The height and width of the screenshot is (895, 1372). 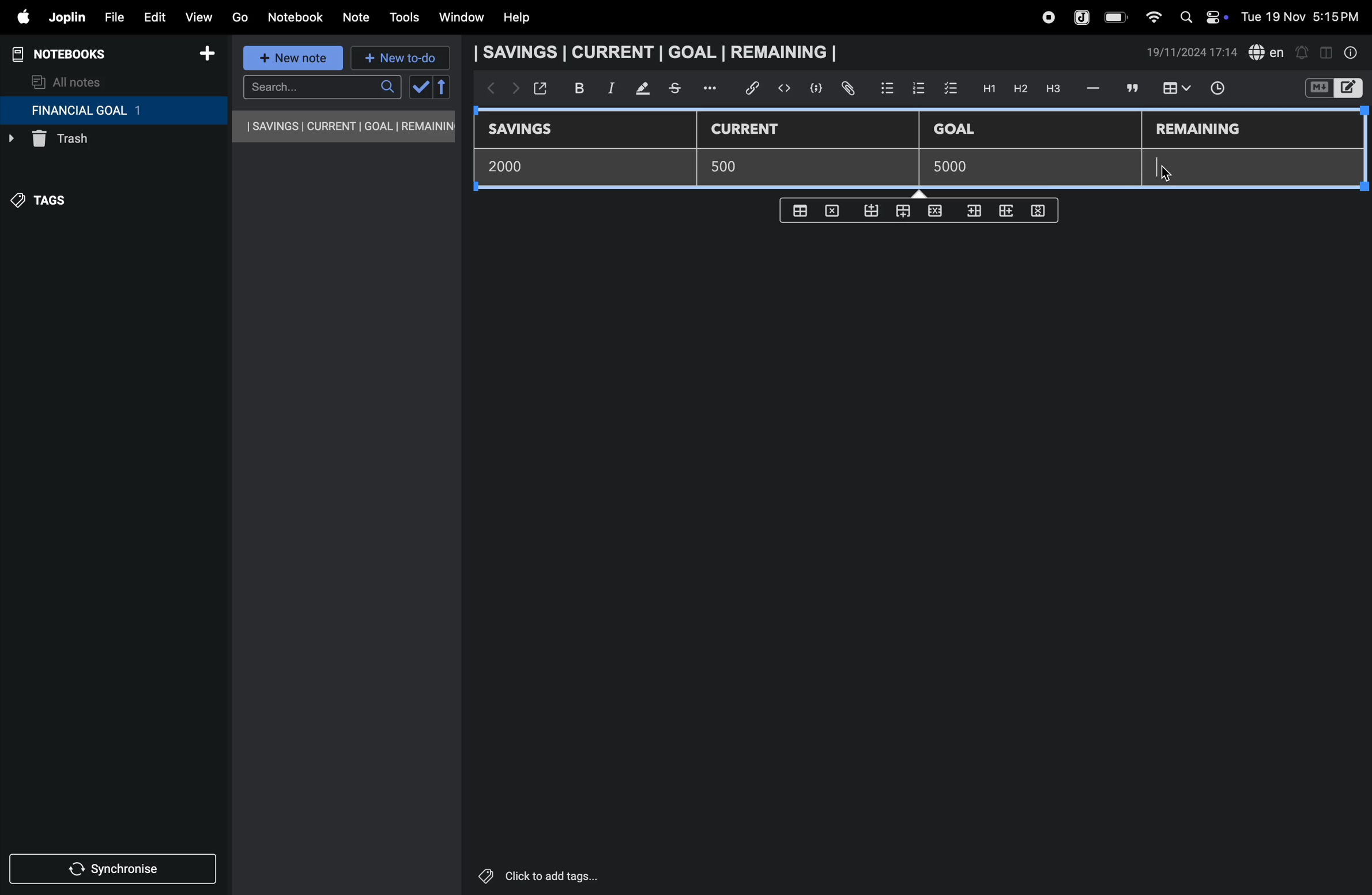 I want to click on Goal, so click(x=962, y=130).